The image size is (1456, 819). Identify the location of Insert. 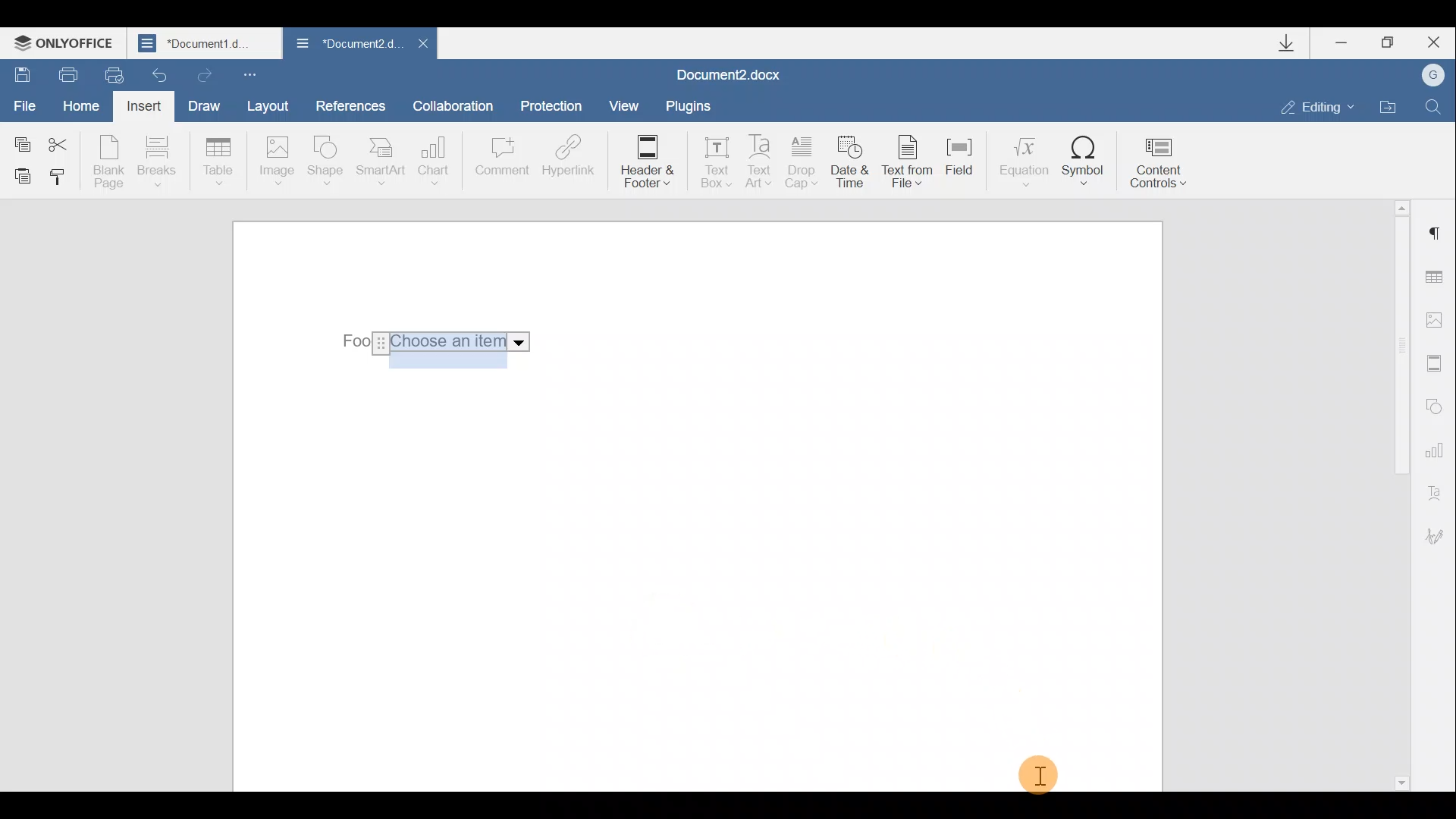
(146, 109).